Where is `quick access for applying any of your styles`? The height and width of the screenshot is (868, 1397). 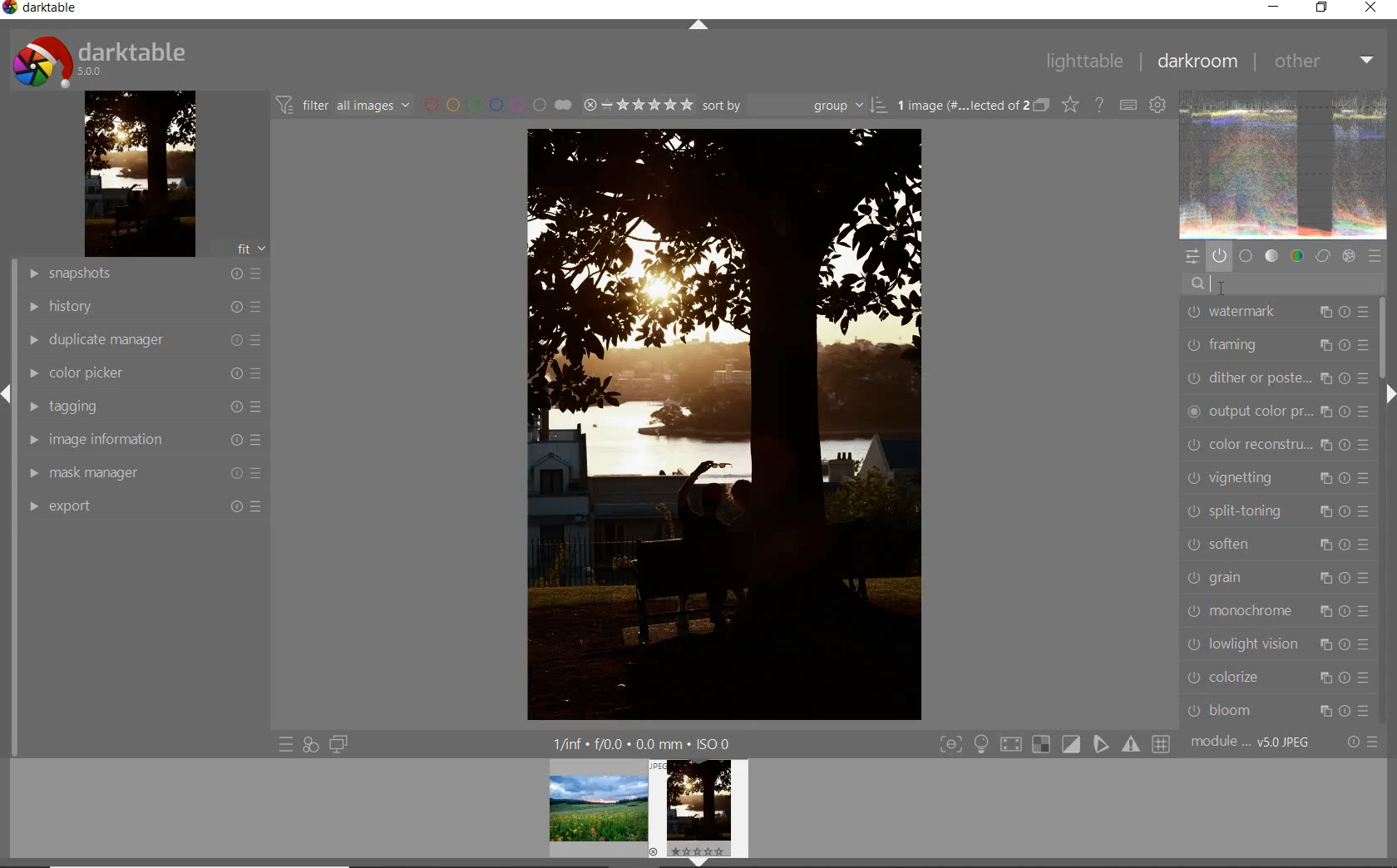 quick access for applying any of your styles is located at coordinates (310, 744).